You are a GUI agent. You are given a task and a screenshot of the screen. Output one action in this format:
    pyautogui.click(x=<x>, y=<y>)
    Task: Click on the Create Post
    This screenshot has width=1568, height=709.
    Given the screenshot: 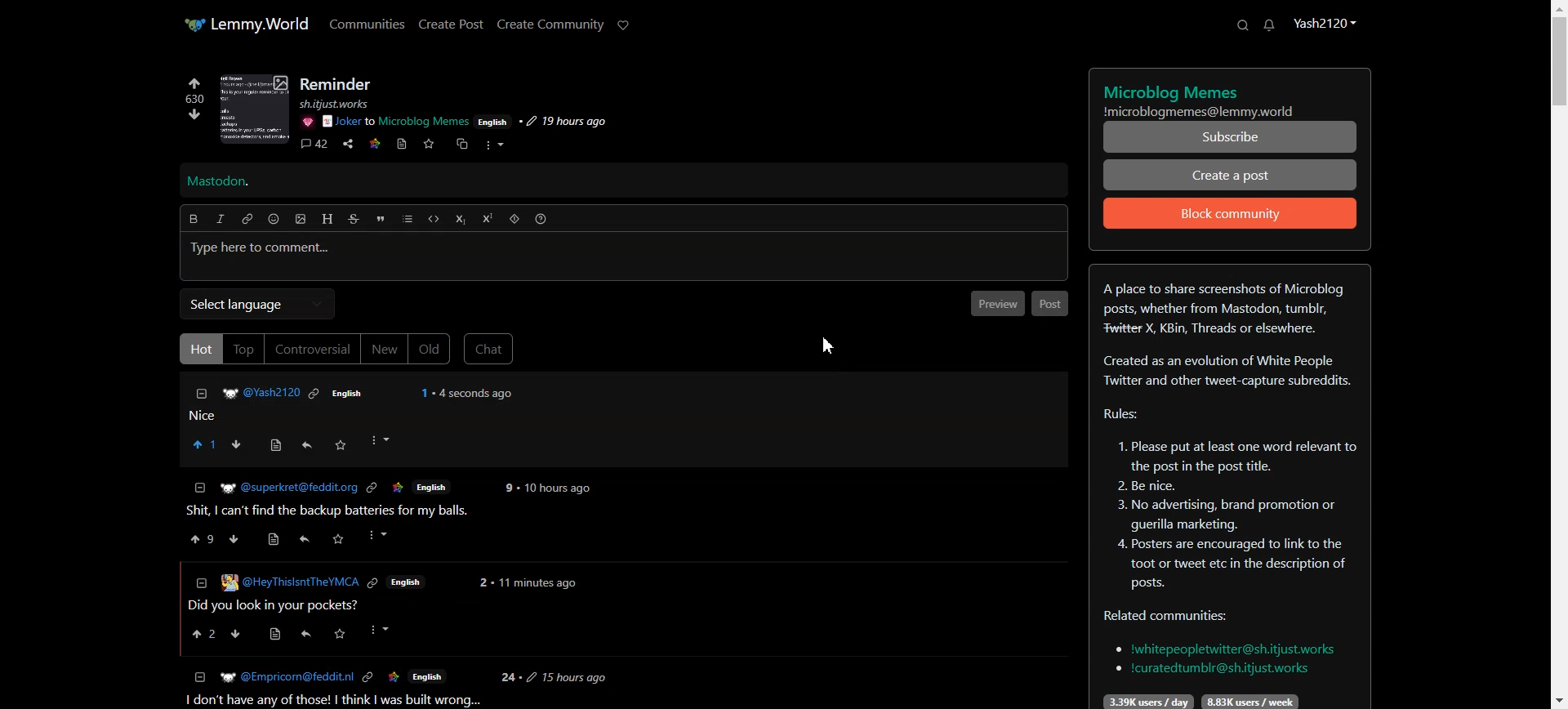 What is the action you would take?
    pyautogui.click(x=450, y=24)
    